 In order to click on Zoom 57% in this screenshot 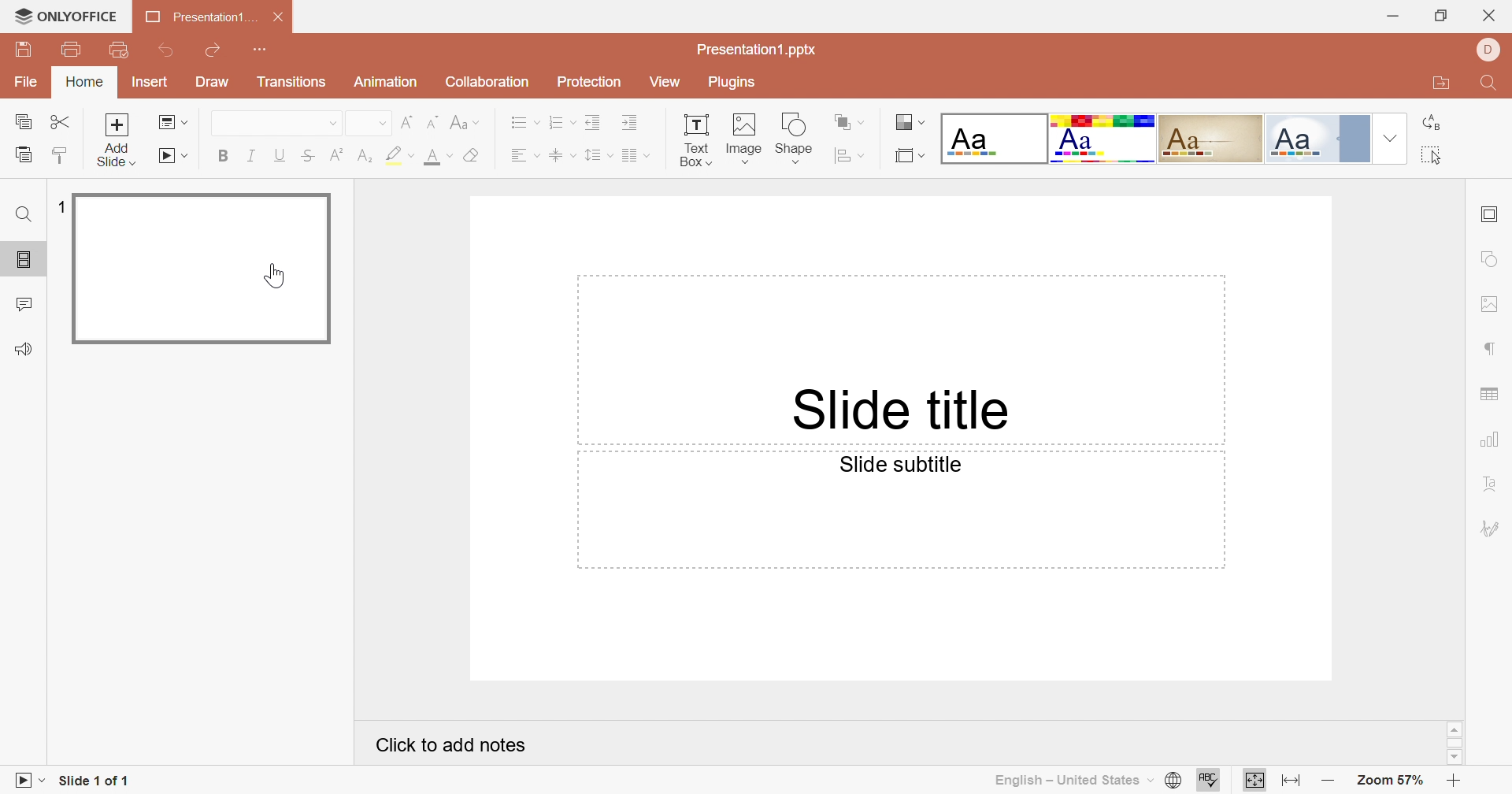, I will do `click(1389, 781)`.